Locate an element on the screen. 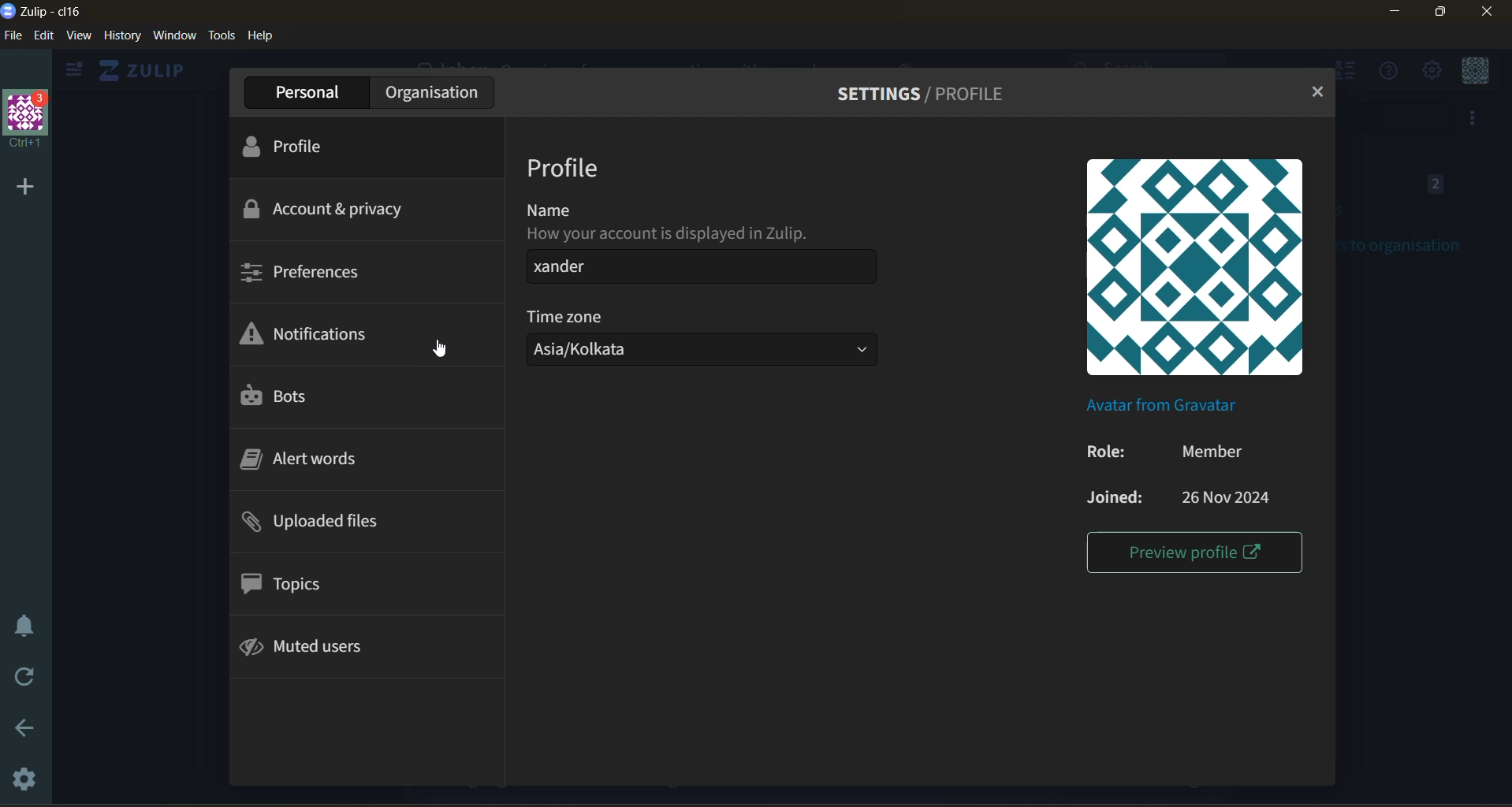 The height and width of the screenshot is (807, 1512). muted users is located at coordinates (323, 647).